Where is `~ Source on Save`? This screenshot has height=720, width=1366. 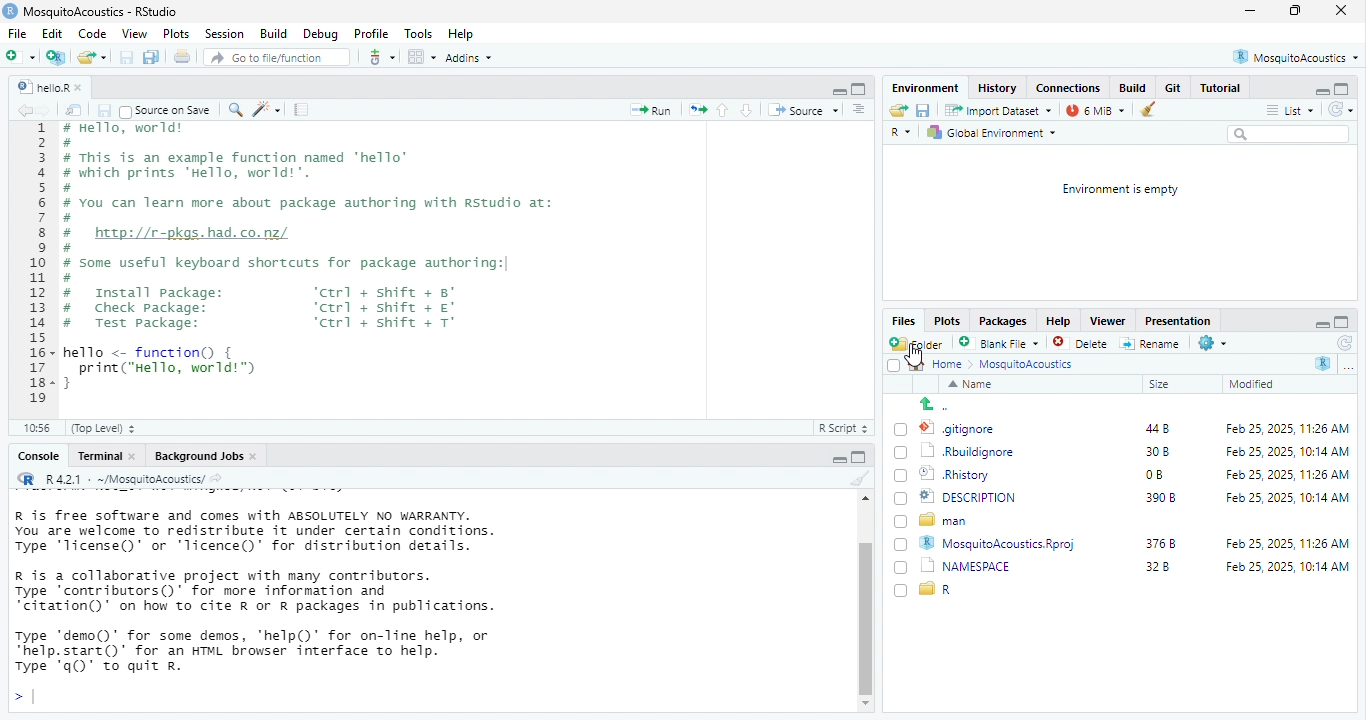 ~ Source on Save is located at coordinates (169, 110).